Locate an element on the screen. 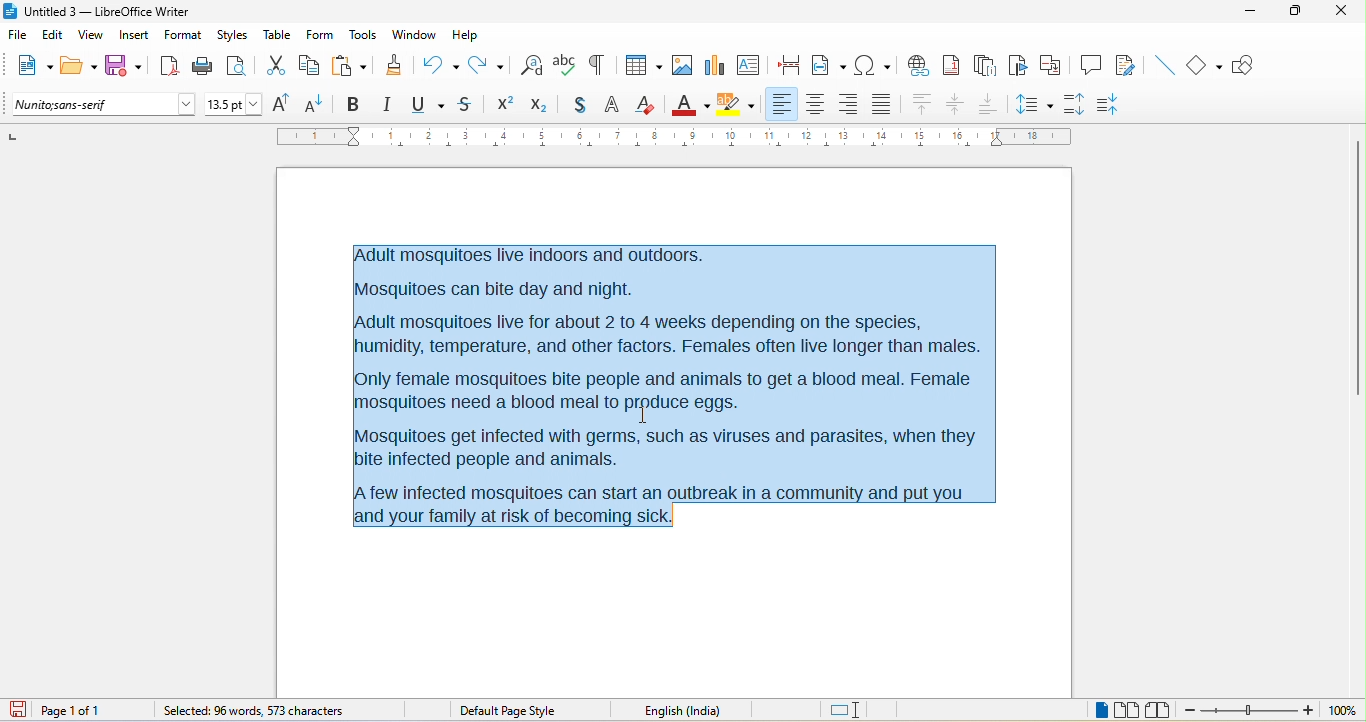 Image resolution: width=1366 pixels, height=722 pixels. special character is located at coordinates (873, 65).